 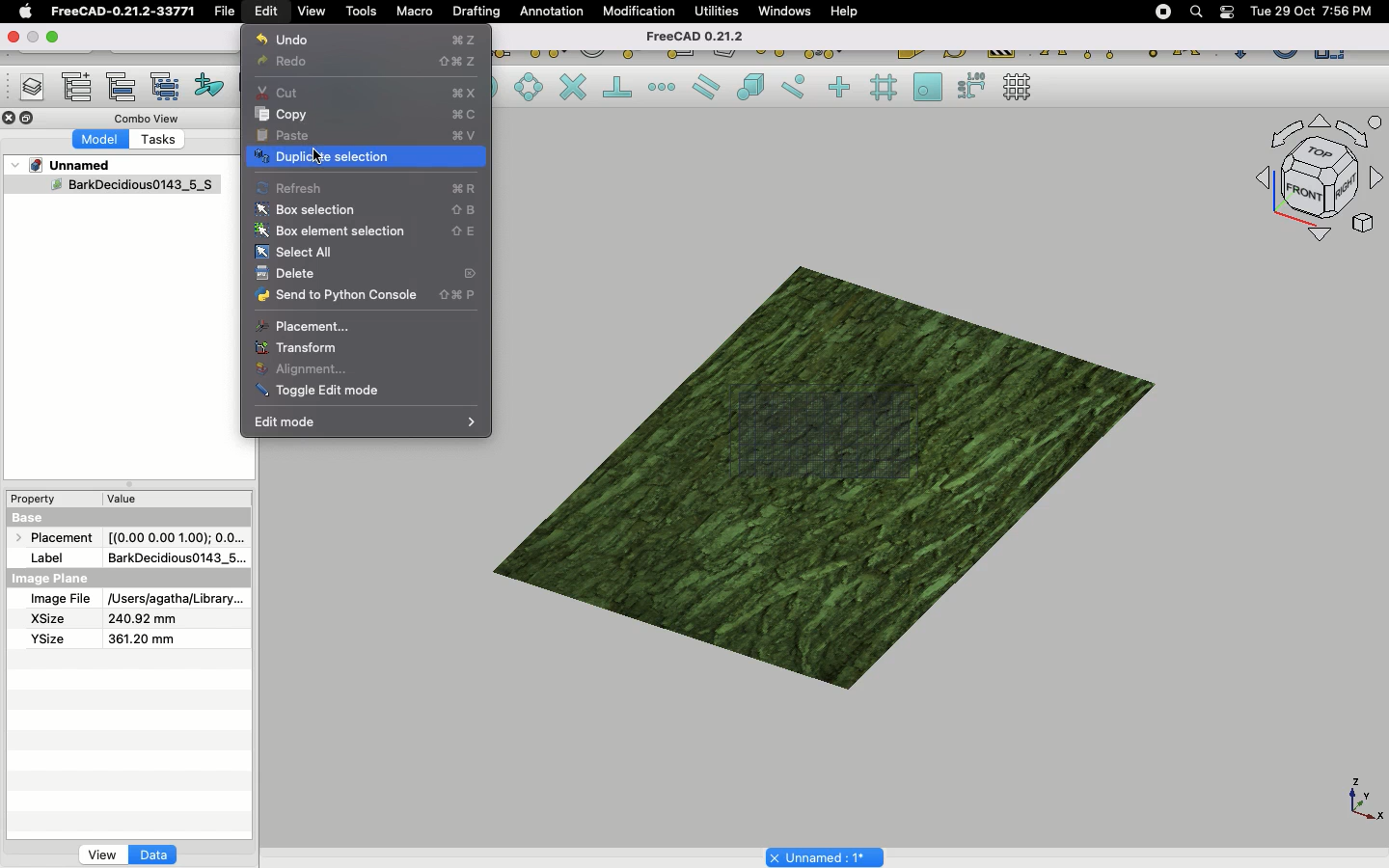 I want to click on Drafting, so click(x=478, y=11).